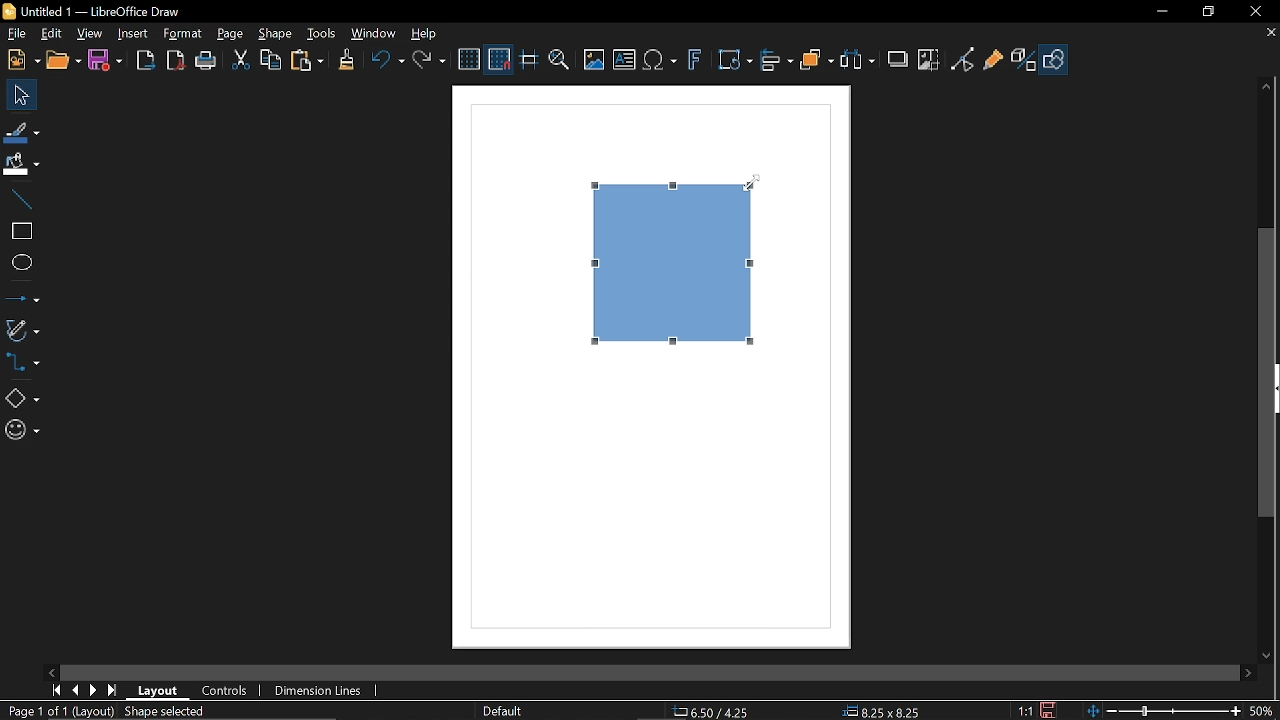 The height and width of the screenshot is (720, 1280). I want to click on 6.50/4.25 (cursor Position), so click(714, 712).